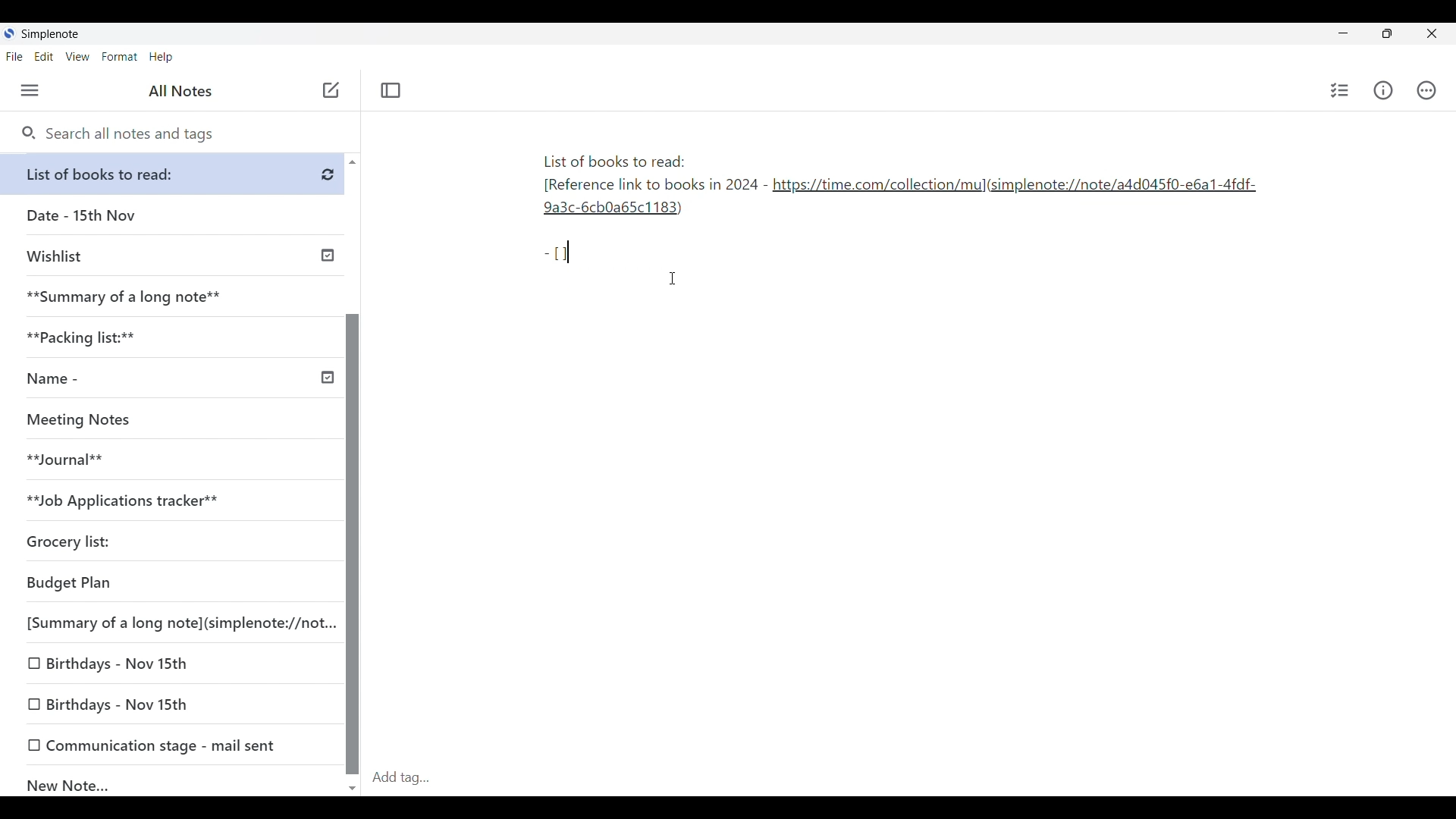 This screenshot has height=819, width=1456. Describe the element at coordinates (329, 89) in the screenshot. I see `add note` at that location.